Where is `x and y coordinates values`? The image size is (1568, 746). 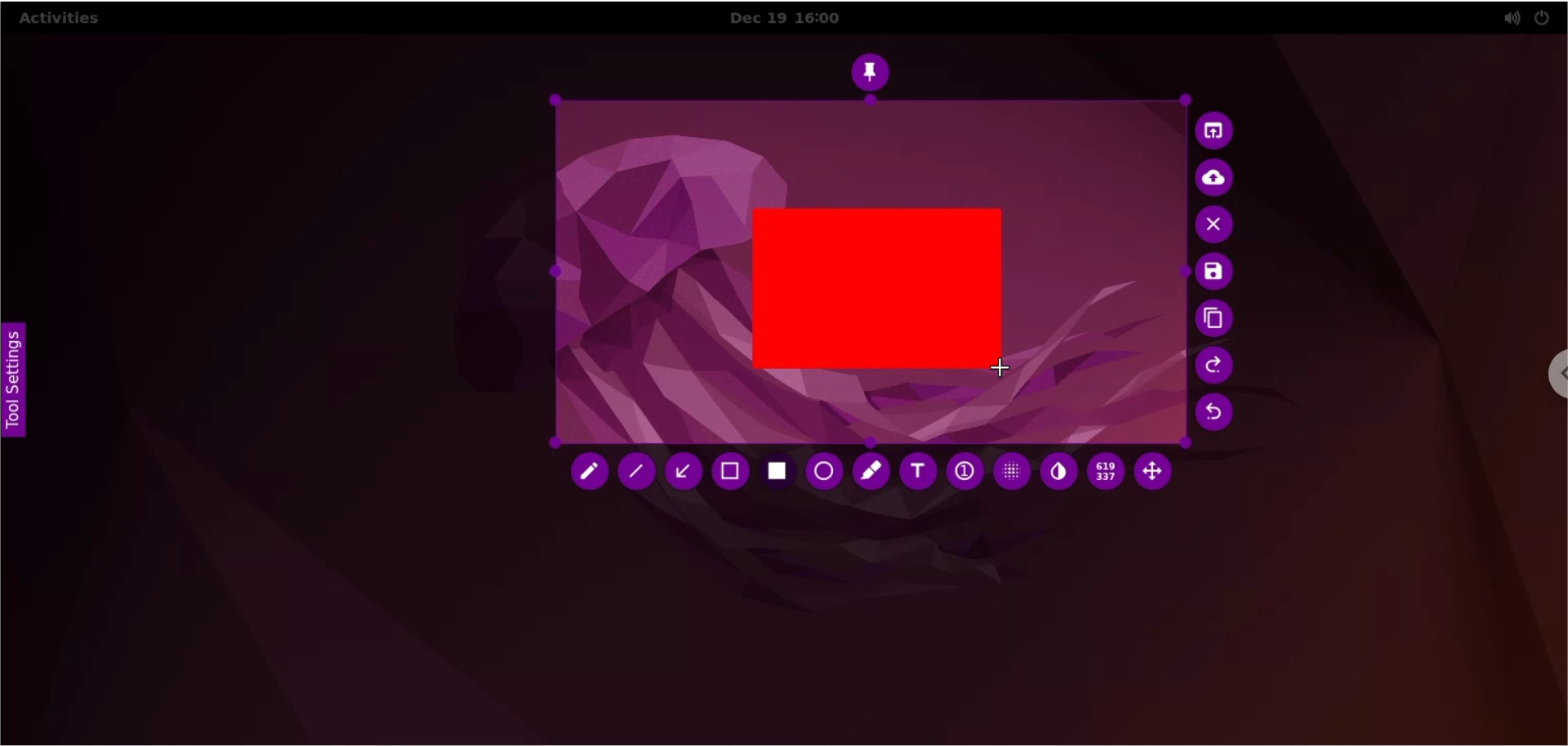
x and y coordinates values is located at coordinates (1106, 474).